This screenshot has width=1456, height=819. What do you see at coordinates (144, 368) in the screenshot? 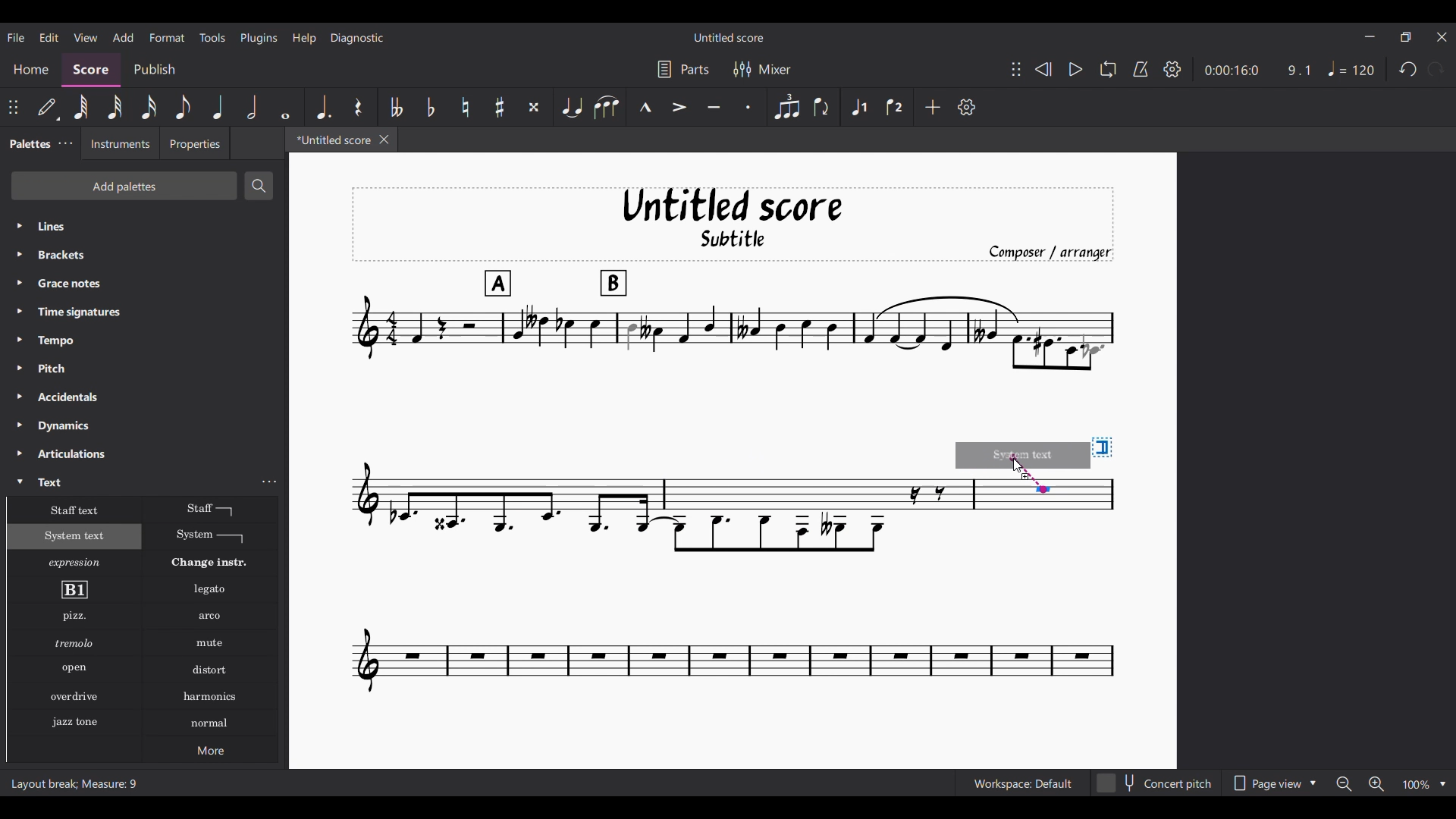
I see `Pitch` at bounding box center [144, 368].